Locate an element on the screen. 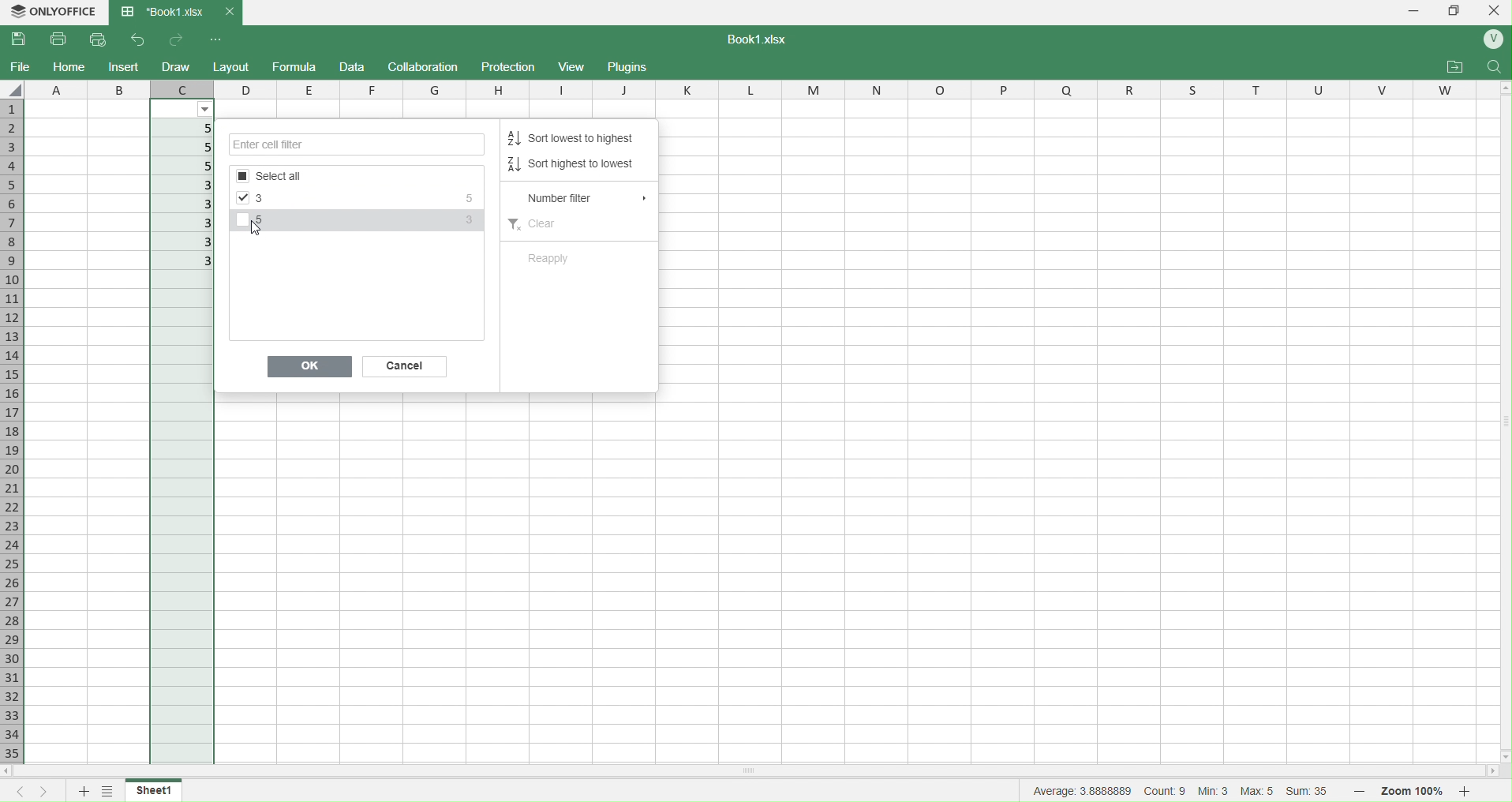 This screenshot has width=1512, height=802. Clear is located at coordinates (537, 222).